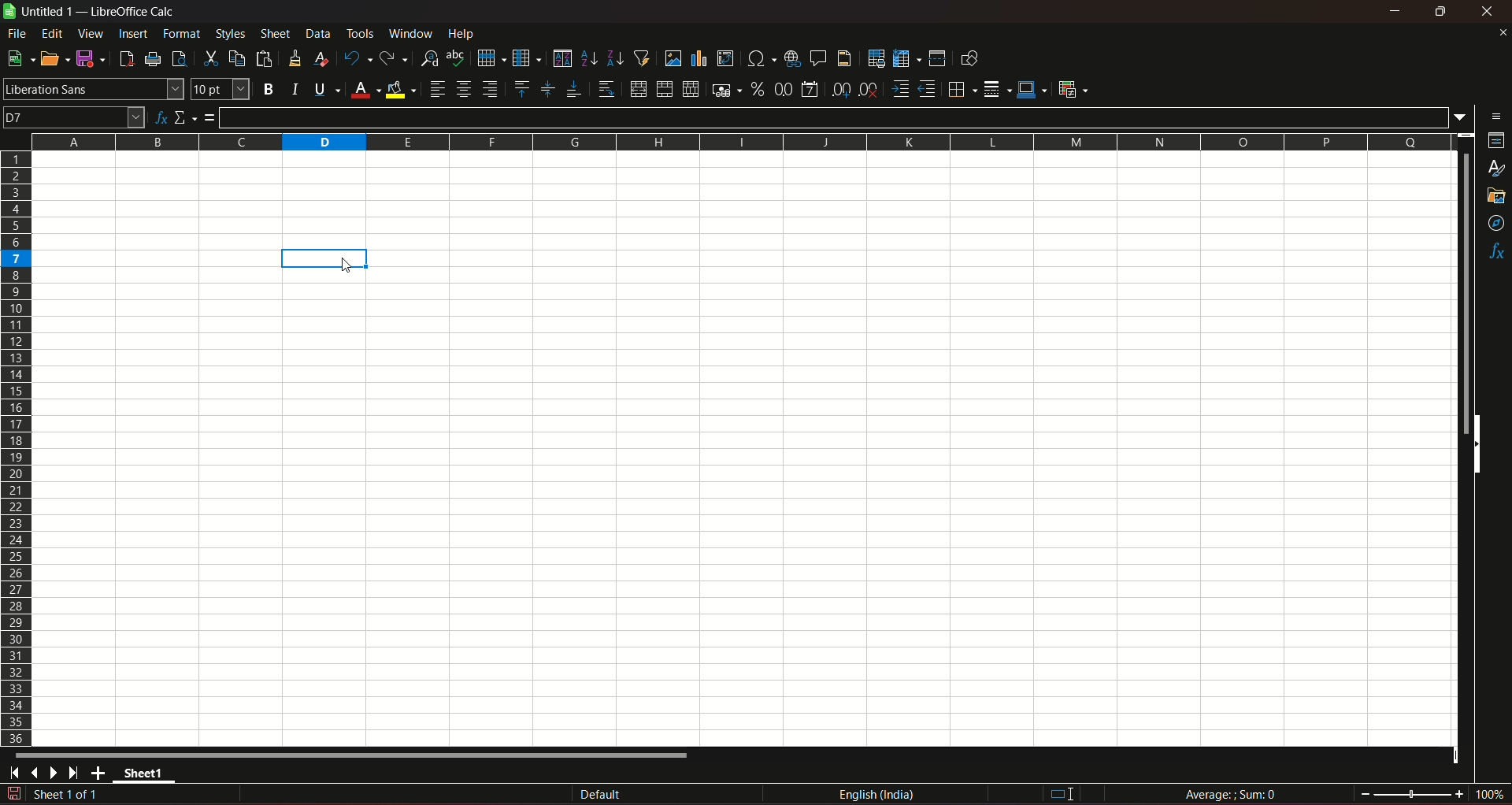 This screenshot has height=805, width=1512. I want to click on scroll to last, so click(78, 773).